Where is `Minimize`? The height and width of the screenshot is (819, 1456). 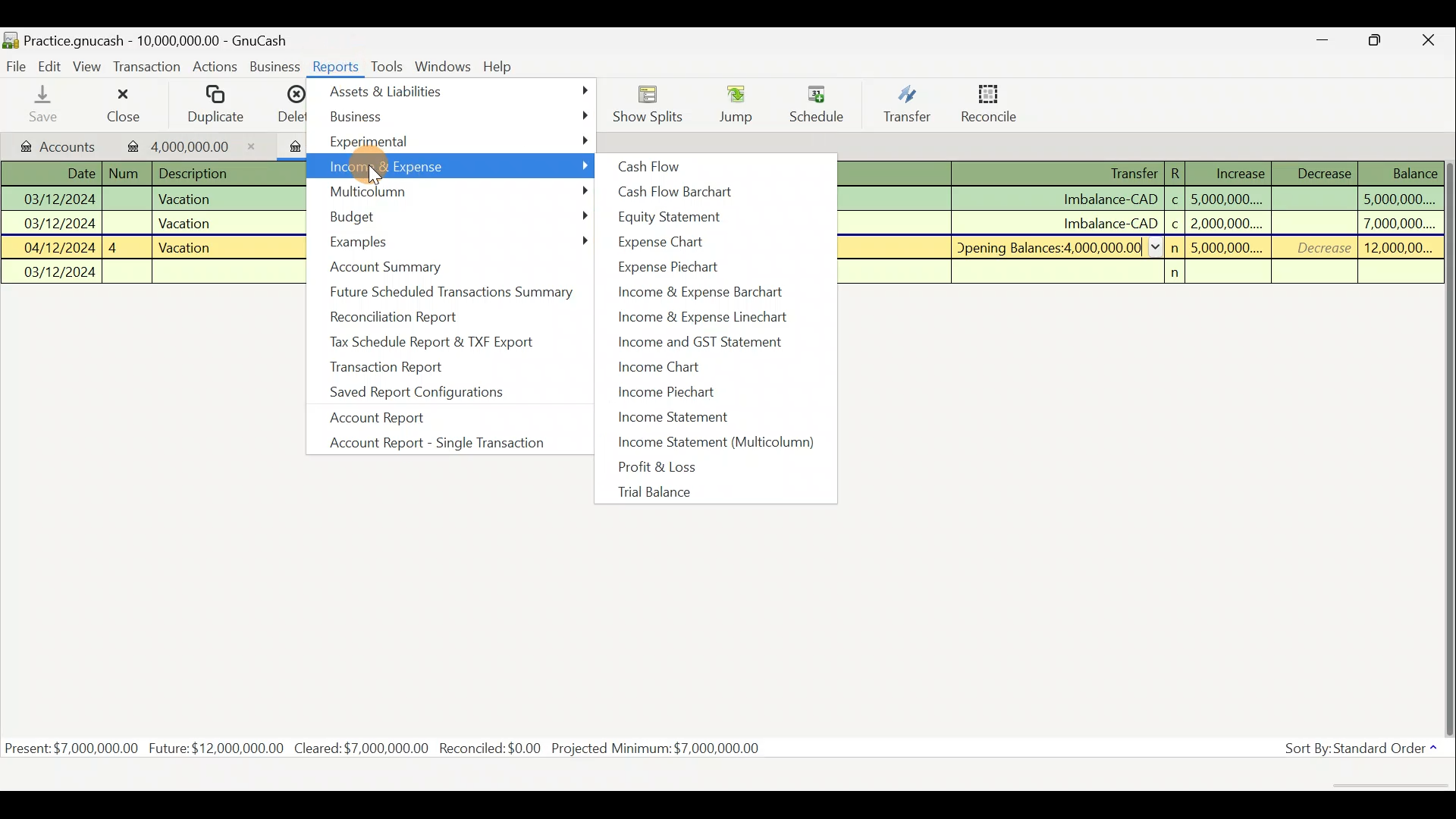
Minimize is located at coordinates (1318, 42).